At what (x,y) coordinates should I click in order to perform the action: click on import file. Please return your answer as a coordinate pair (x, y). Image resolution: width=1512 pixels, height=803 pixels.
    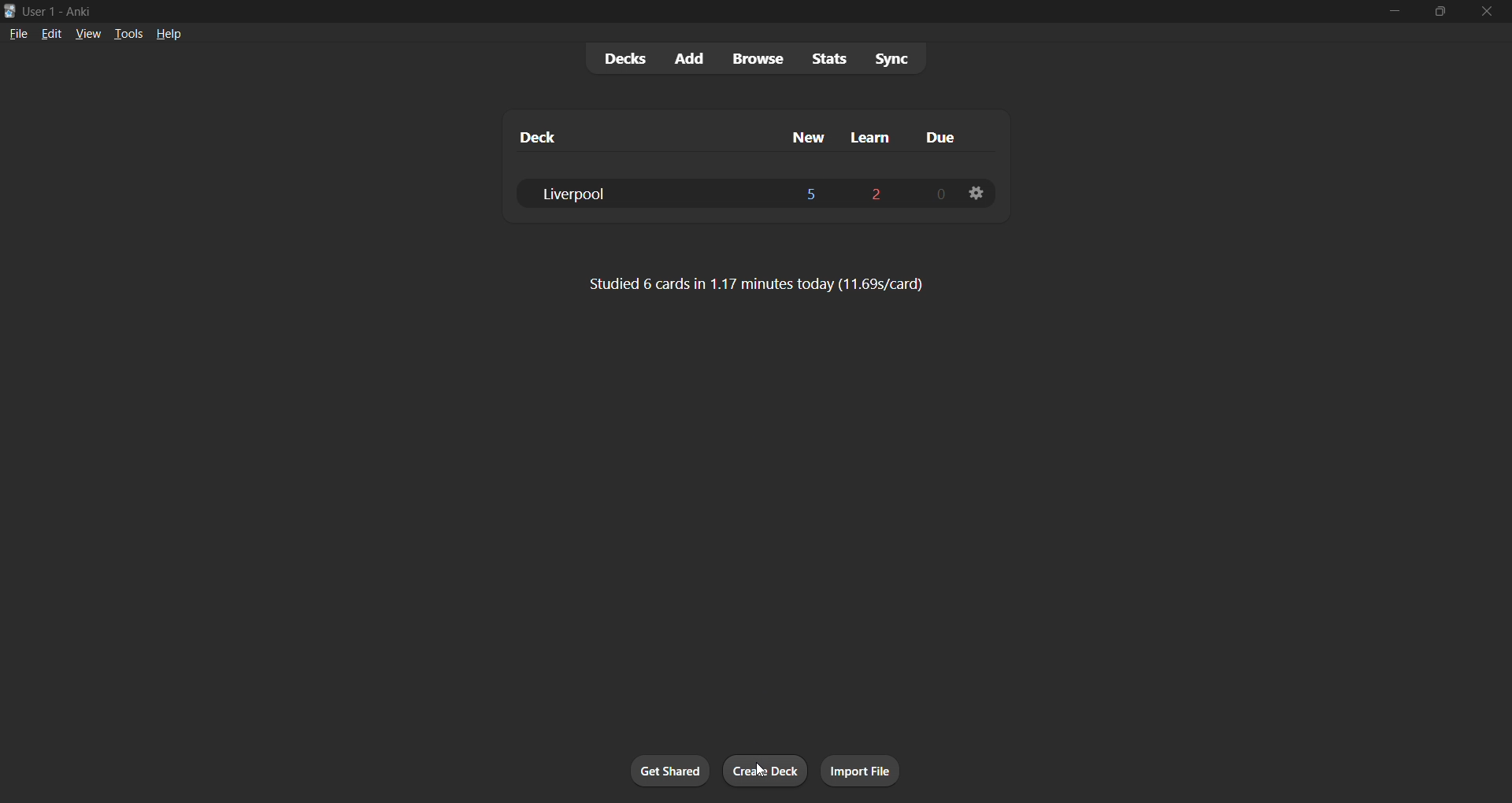
    Looking at the image, I should click on (860, 772).